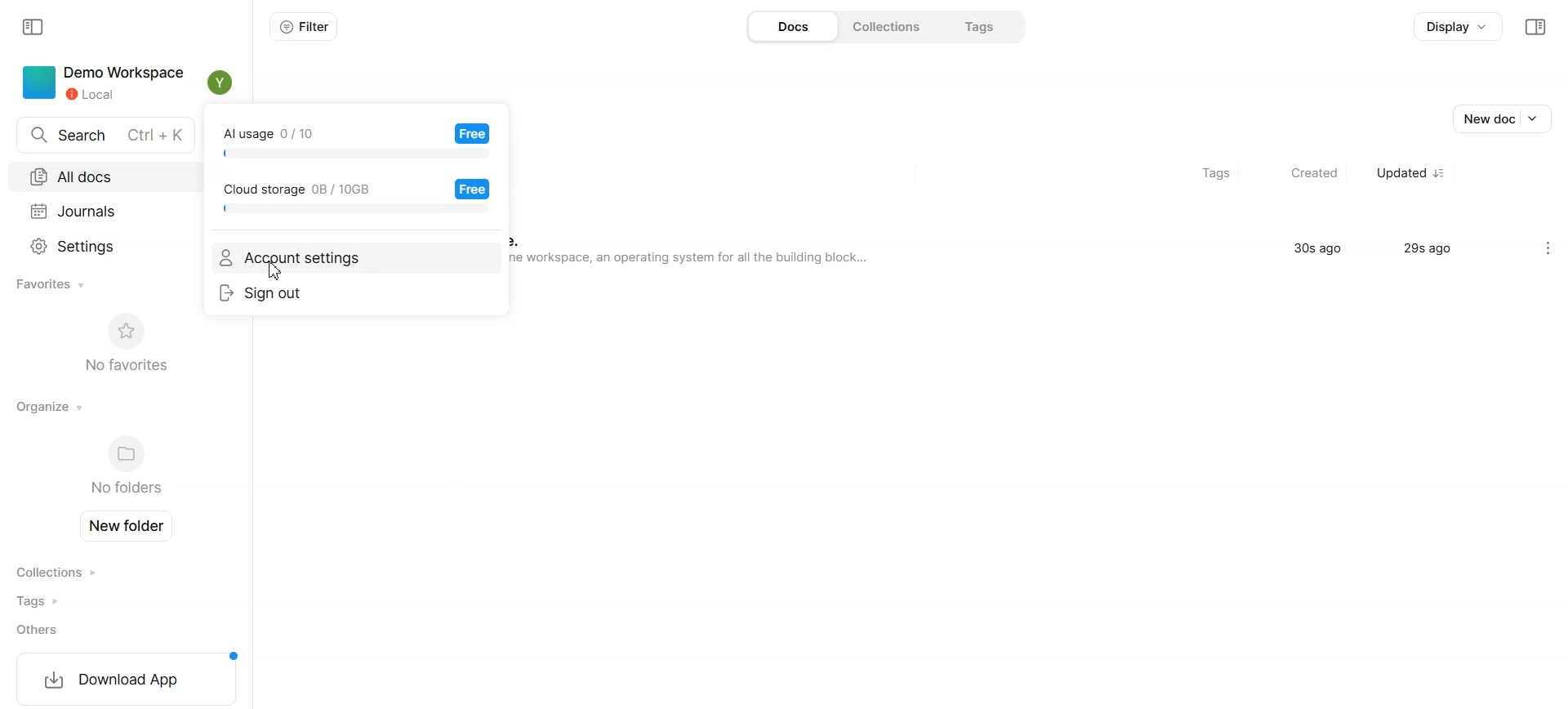 The image size is (1568, 709). Describe the element at coordinates (34, 28) in the screenshot. I see `Collapse slide bar` at that location.